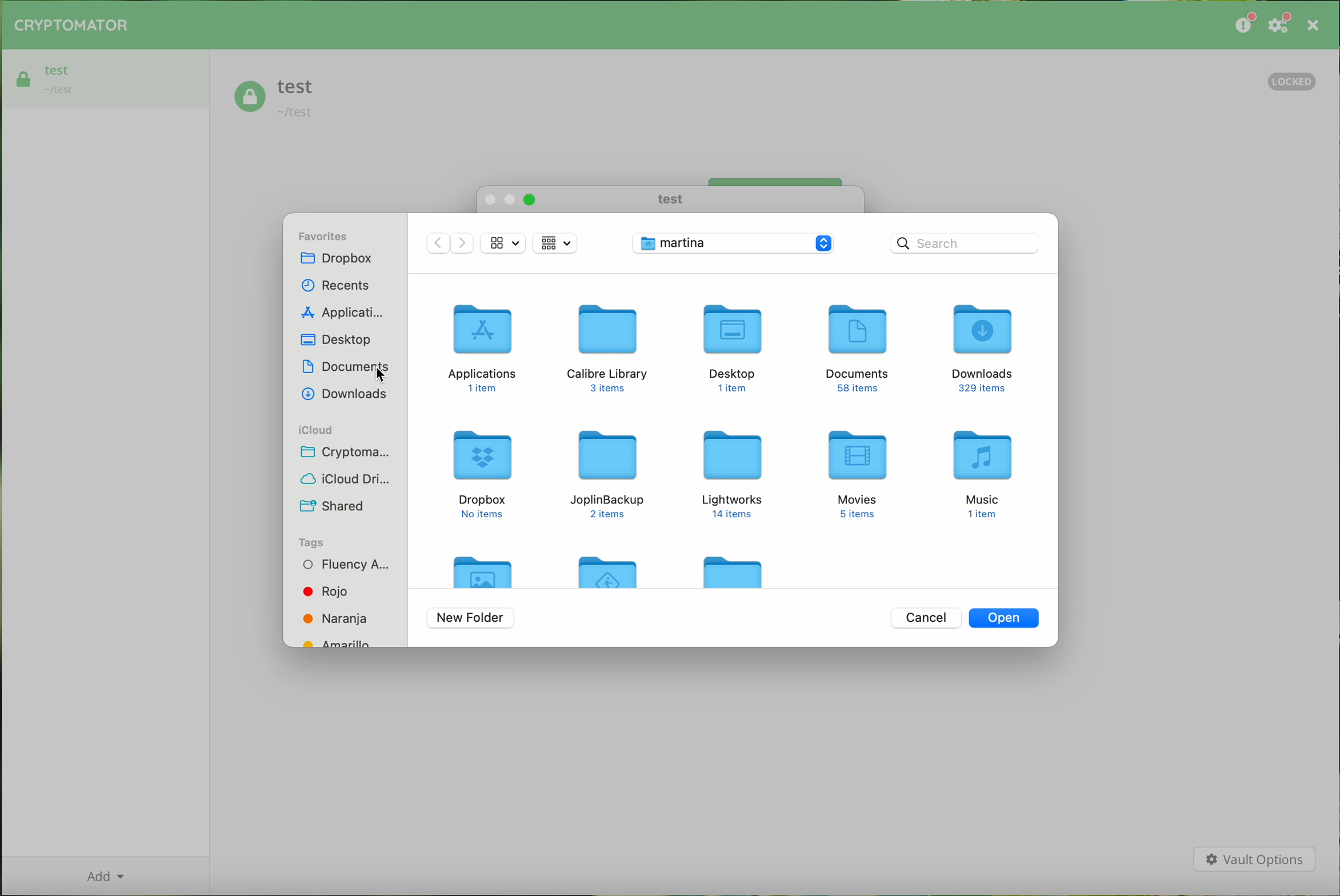 The height and width of the screenshot is (896, 1340). I want to click on tags, so click(313, 542).